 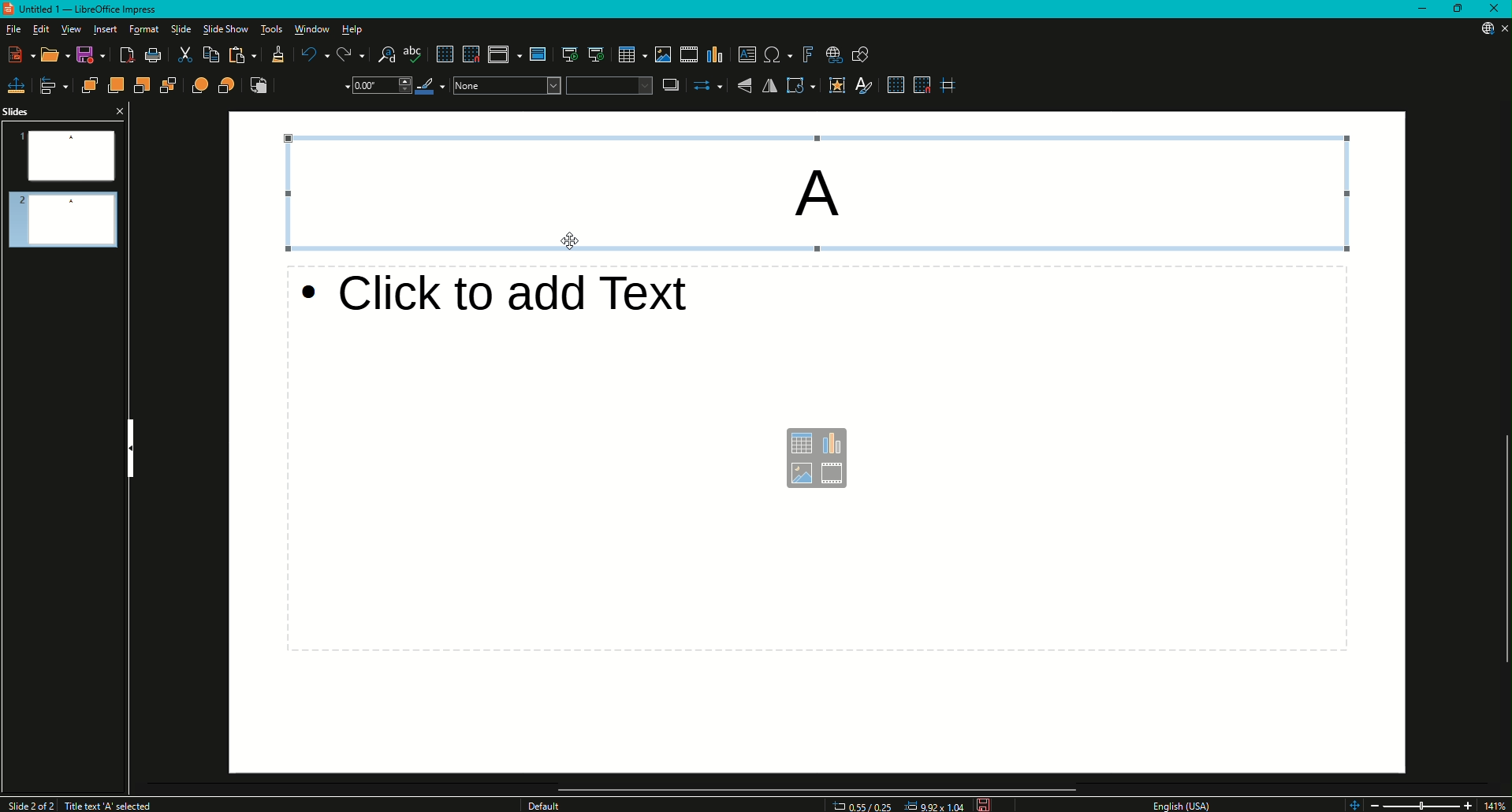 What do you see at coordinates (1480, 28) in the screenshot?
I see `Updates Available` at bounding box center [1480, 28].